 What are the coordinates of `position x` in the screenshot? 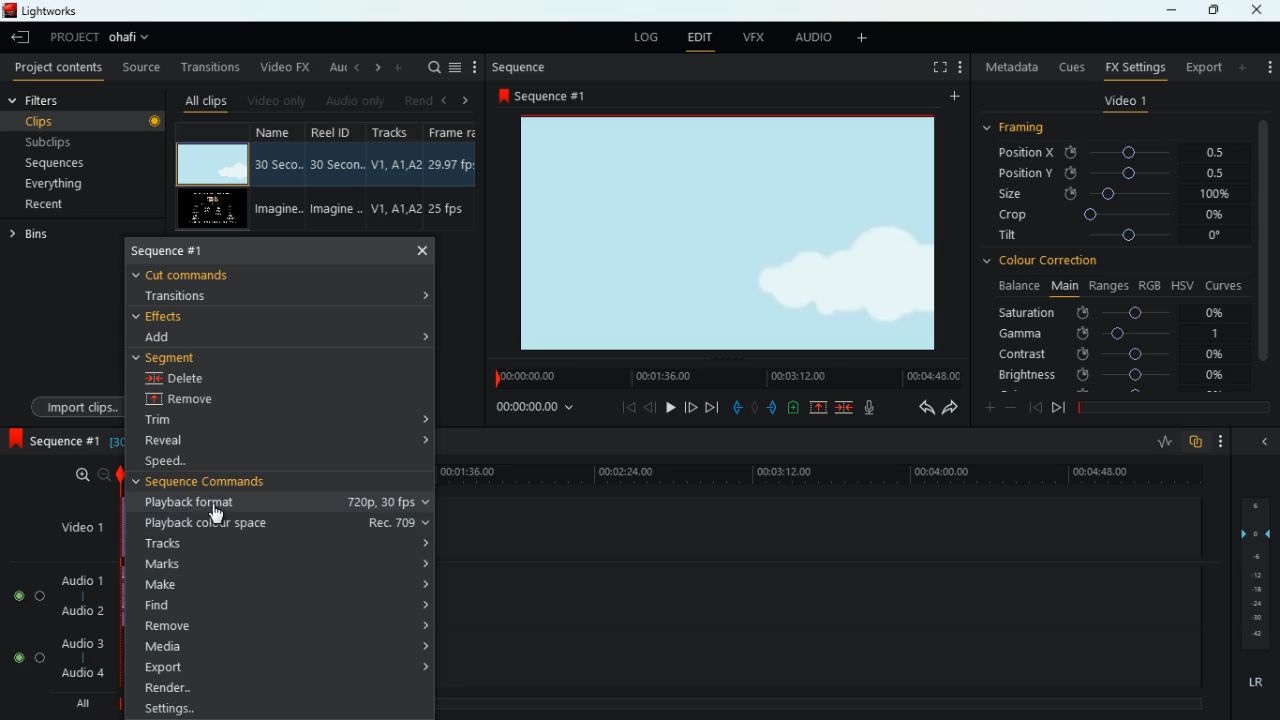 It's located at (1112, 151).